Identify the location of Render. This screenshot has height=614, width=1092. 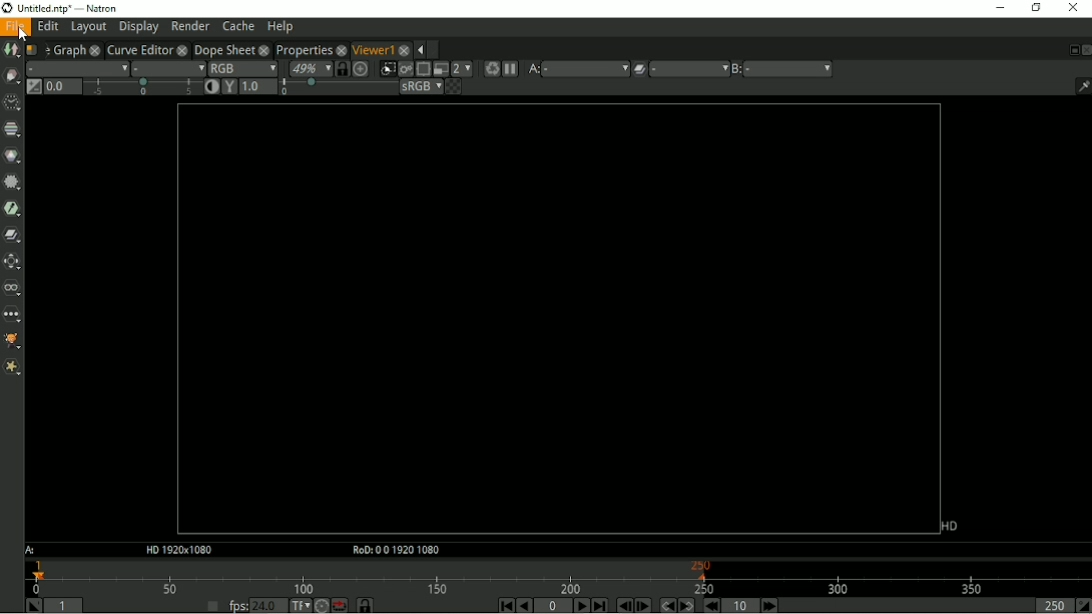
(190, 25).